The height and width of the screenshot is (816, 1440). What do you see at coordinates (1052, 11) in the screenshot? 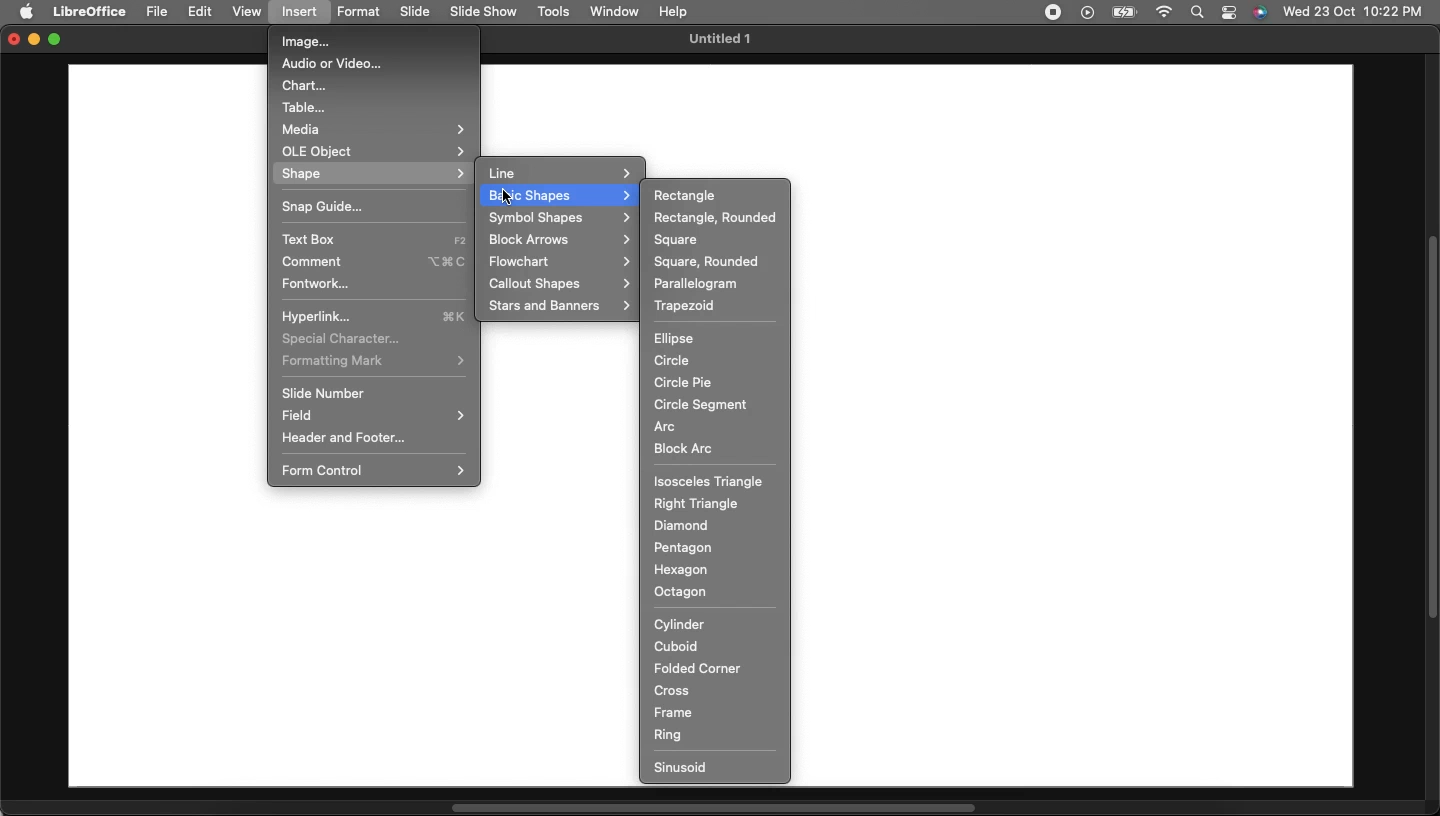
I see `Recording` at bounding box center [1052, 11].